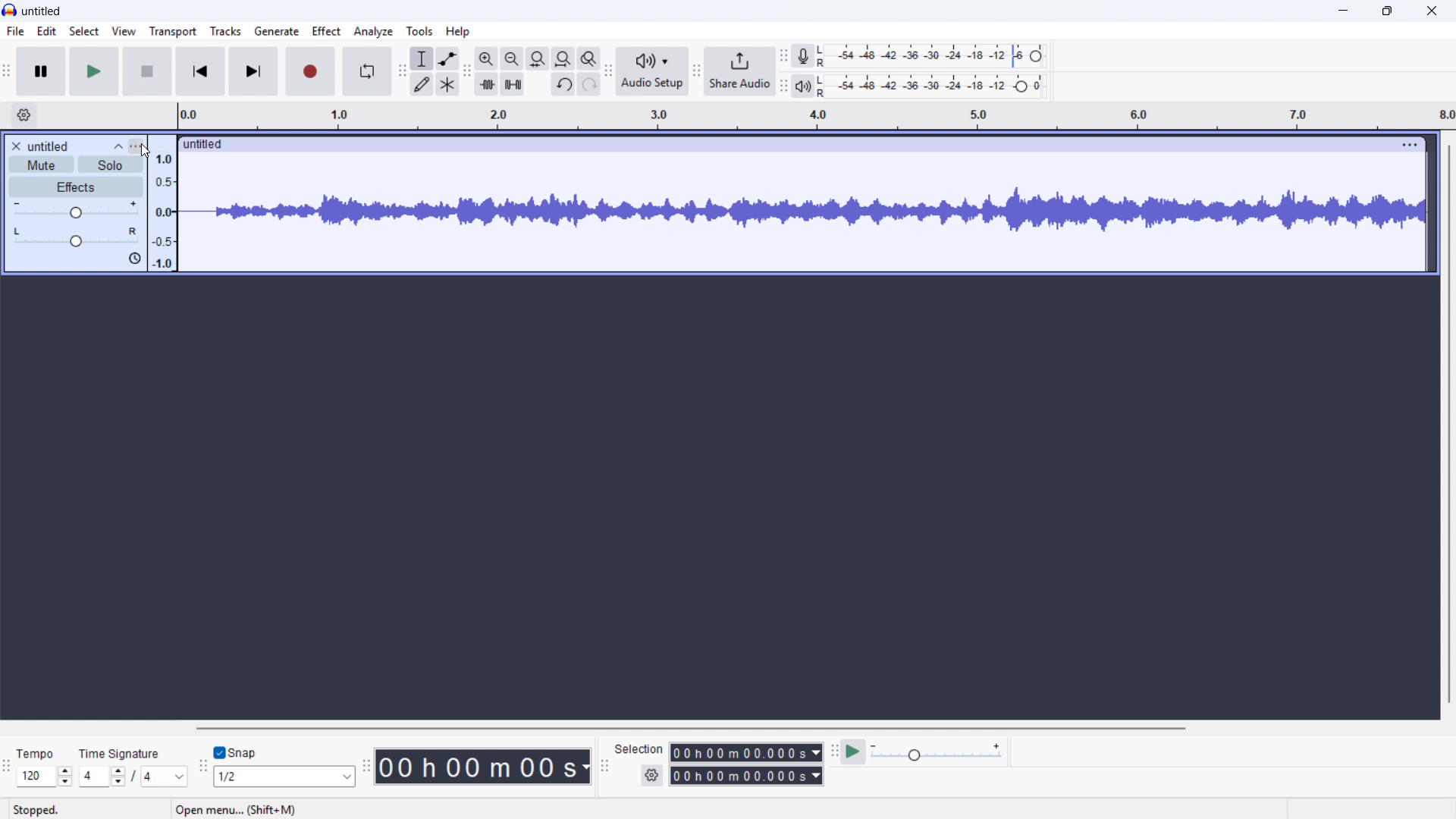  Describe the element at coordinates (1345, 11) in the screenshot. I see `minimise` at that location.